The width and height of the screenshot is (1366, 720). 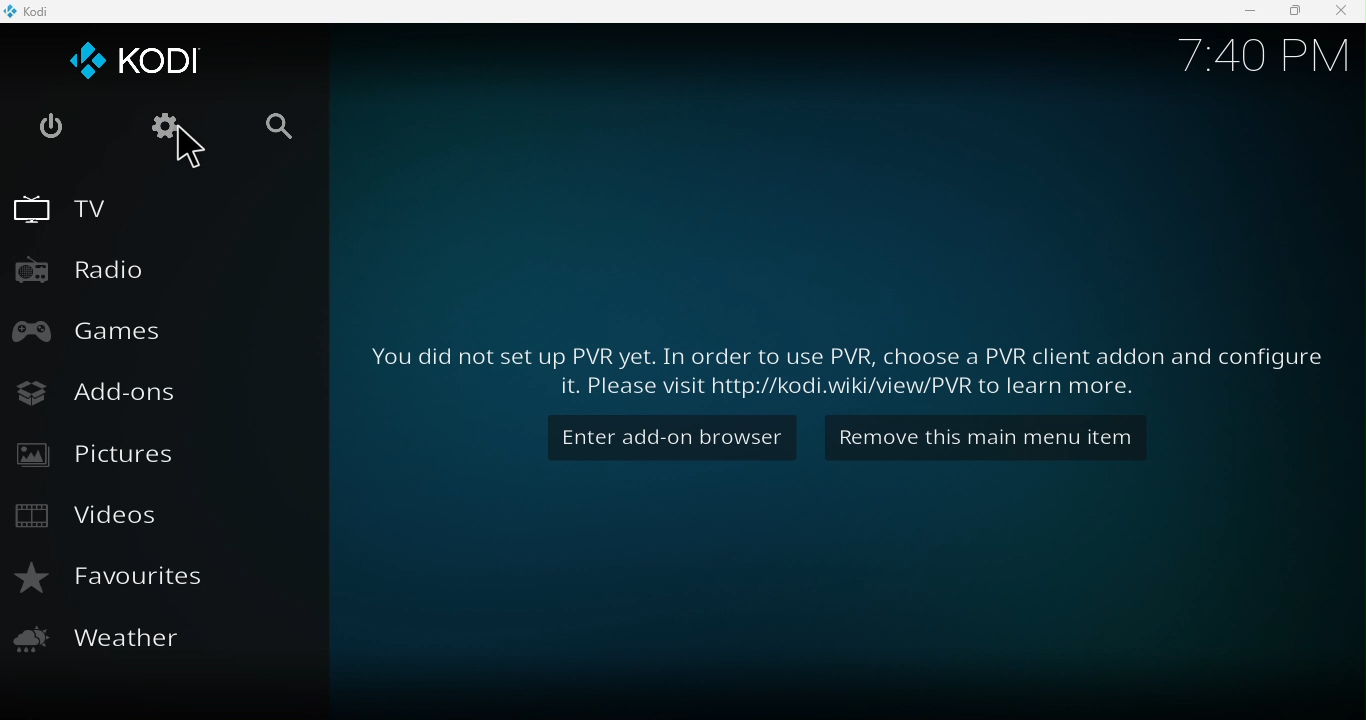 What do you see at coordinates (1294, 12) in the screenshot?
I see `Maximize` at bounding box center [1294, 12].